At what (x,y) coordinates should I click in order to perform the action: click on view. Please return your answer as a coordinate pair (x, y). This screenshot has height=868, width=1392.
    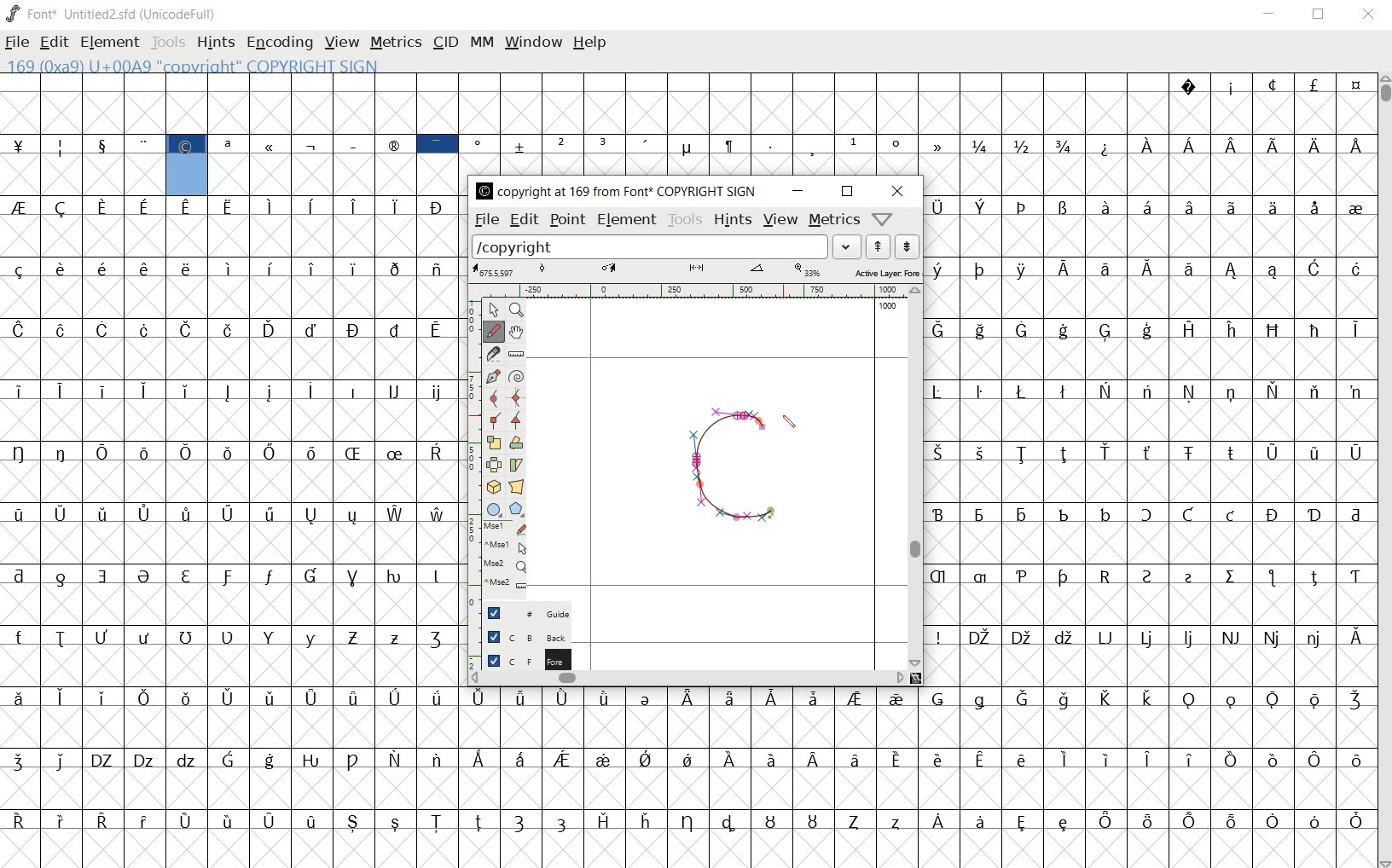
    Looking at the image, I should click on (342, 43).